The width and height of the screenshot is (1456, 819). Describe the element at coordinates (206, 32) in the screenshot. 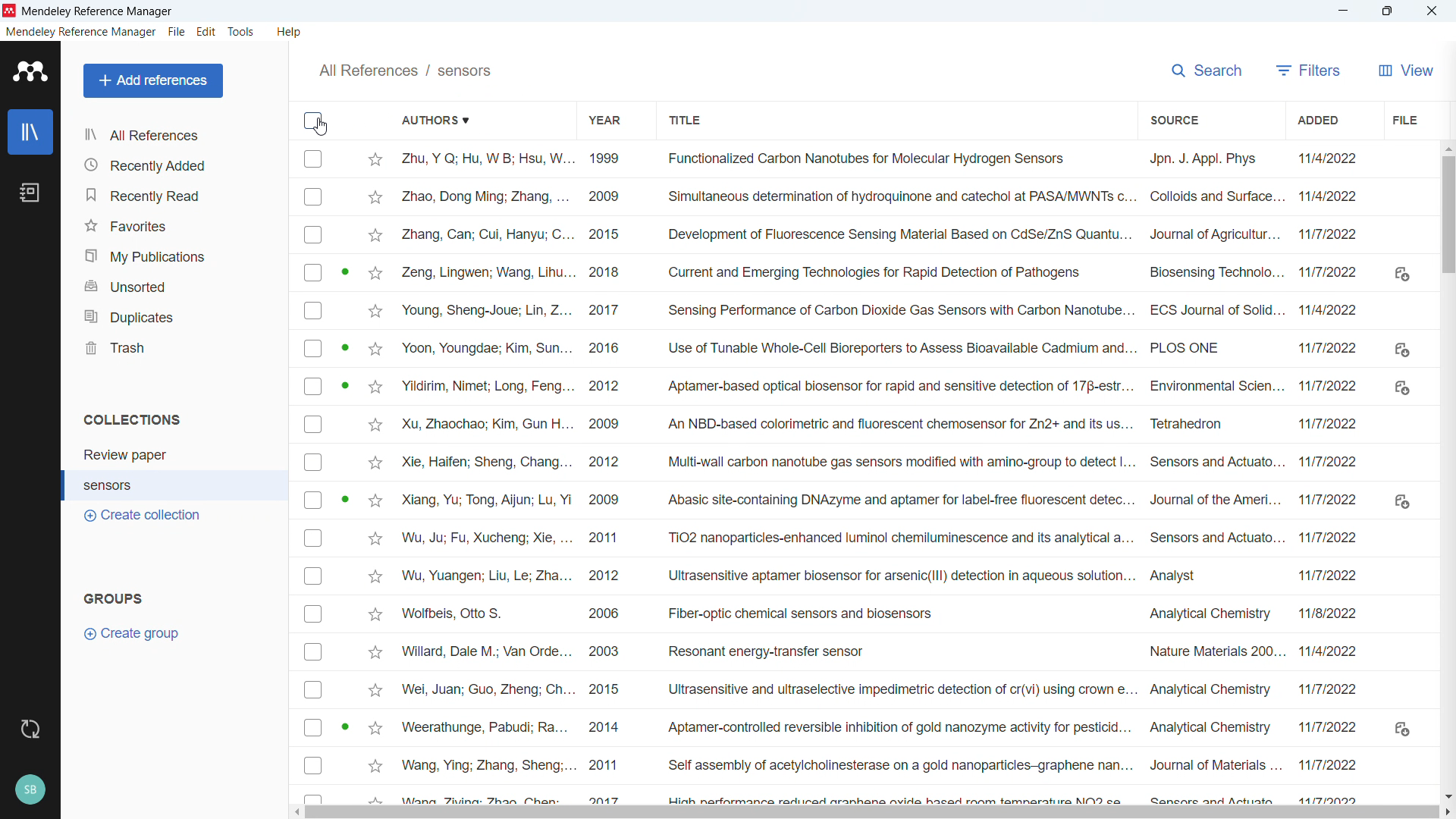

I see `edit` at that location.